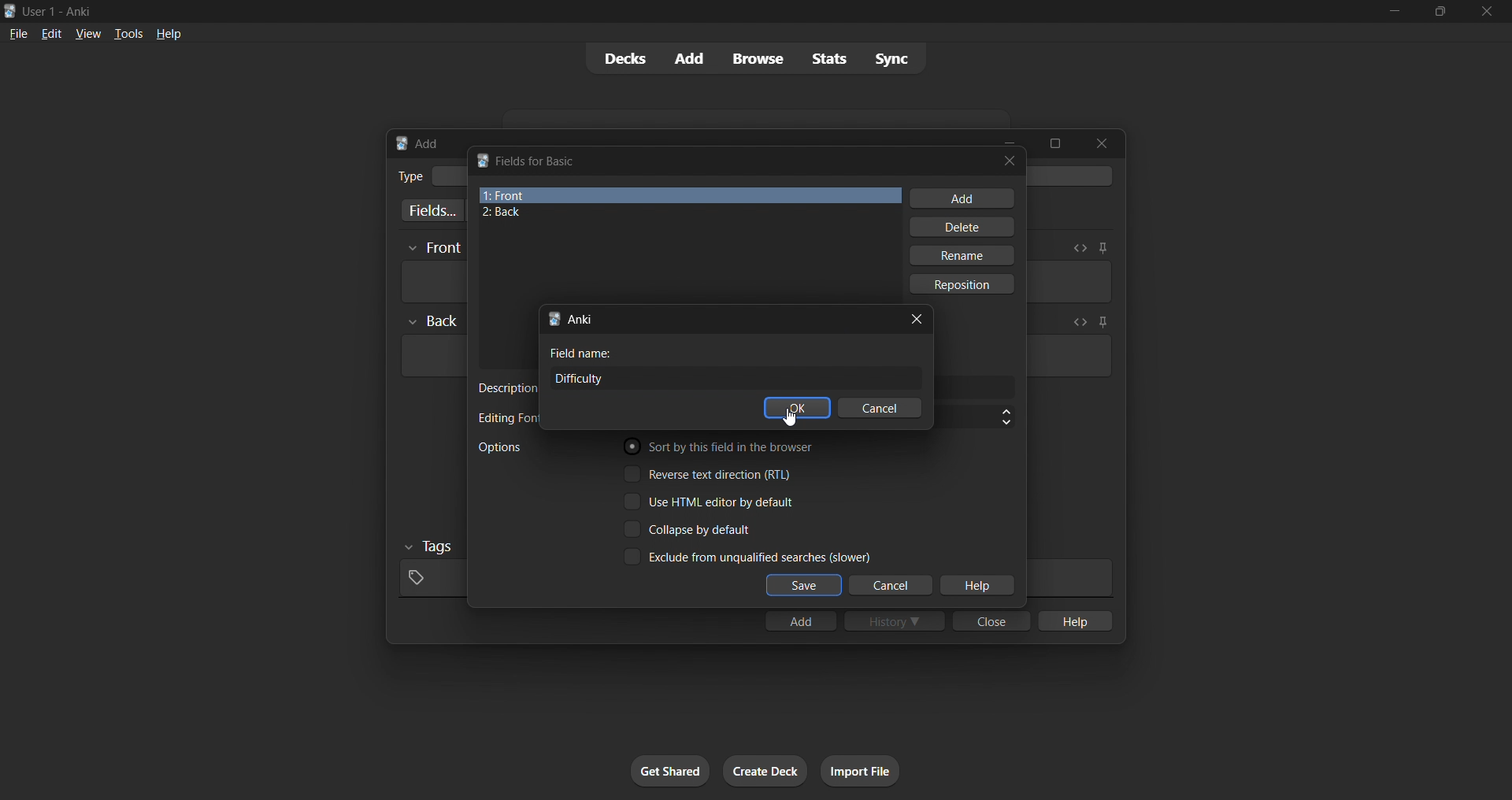 This screenshot has width=1512, height=800. I want to click on close, so click(1487, 12).